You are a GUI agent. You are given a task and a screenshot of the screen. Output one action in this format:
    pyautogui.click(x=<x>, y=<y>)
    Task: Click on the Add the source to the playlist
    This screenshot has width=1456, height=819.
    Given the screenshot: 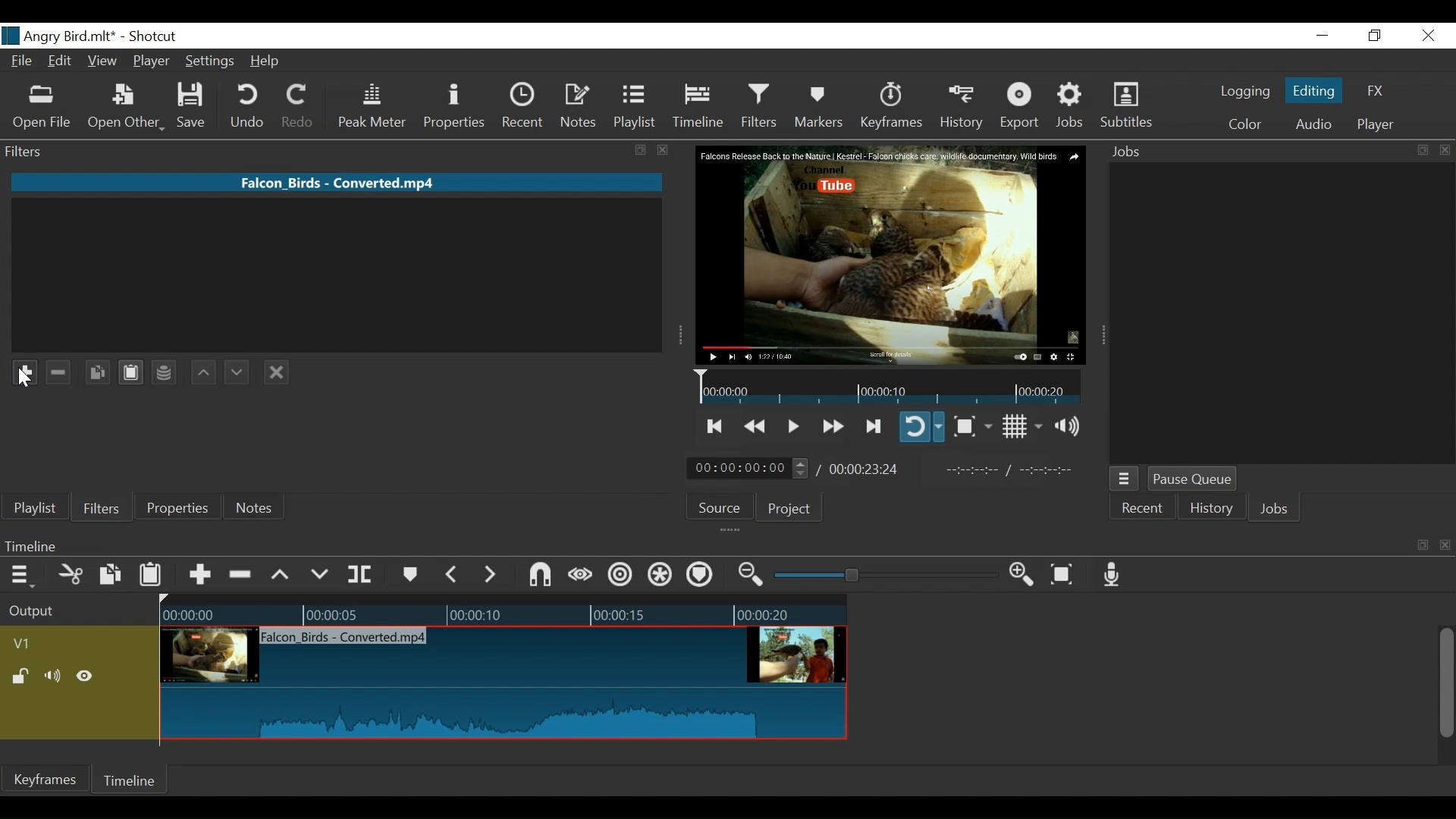 What is the action you would take?
    pyautogui.click(x=71, y=472)
    